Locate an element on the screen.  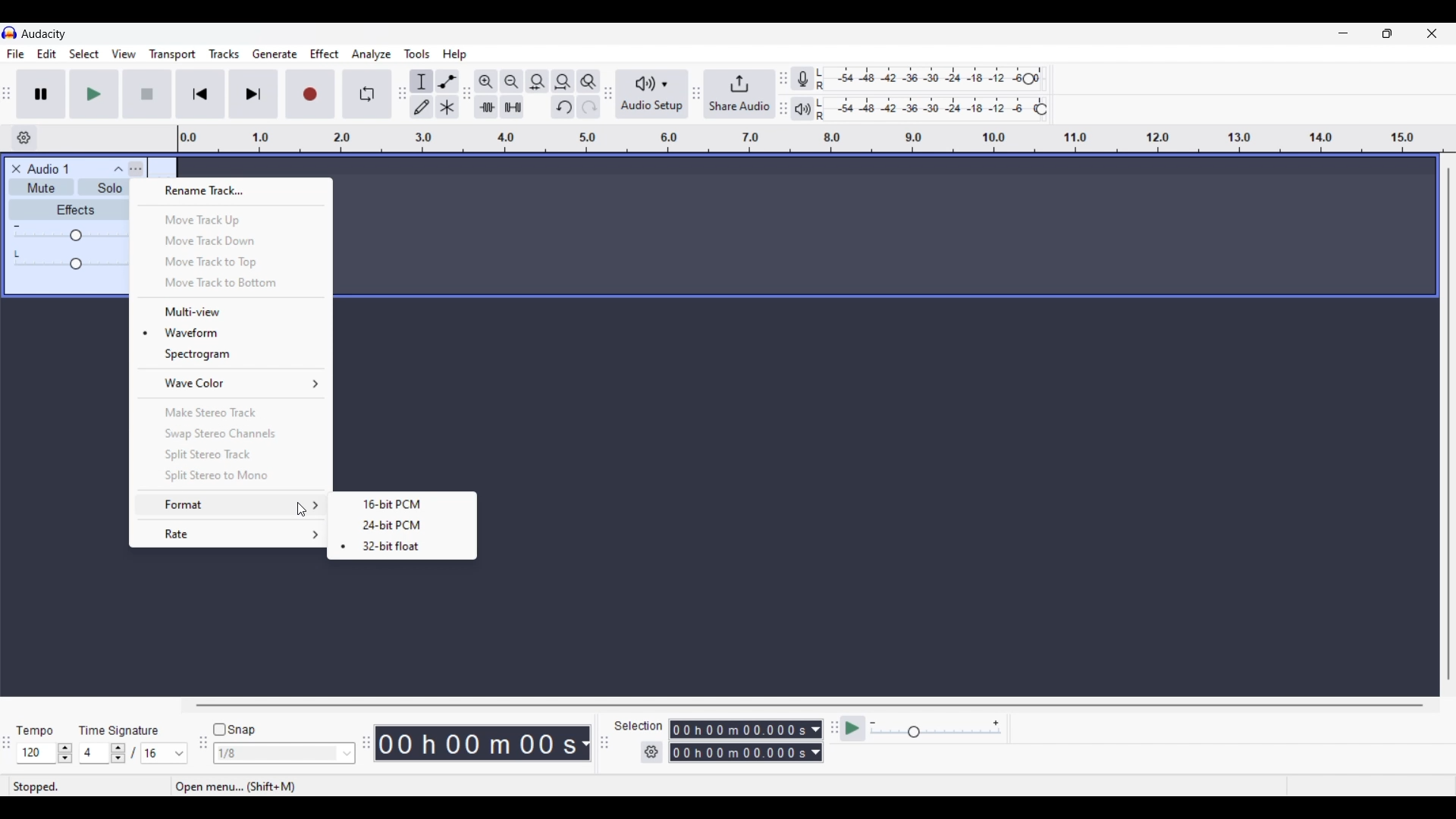
Selected time signature is located at coordinates (156, 754).